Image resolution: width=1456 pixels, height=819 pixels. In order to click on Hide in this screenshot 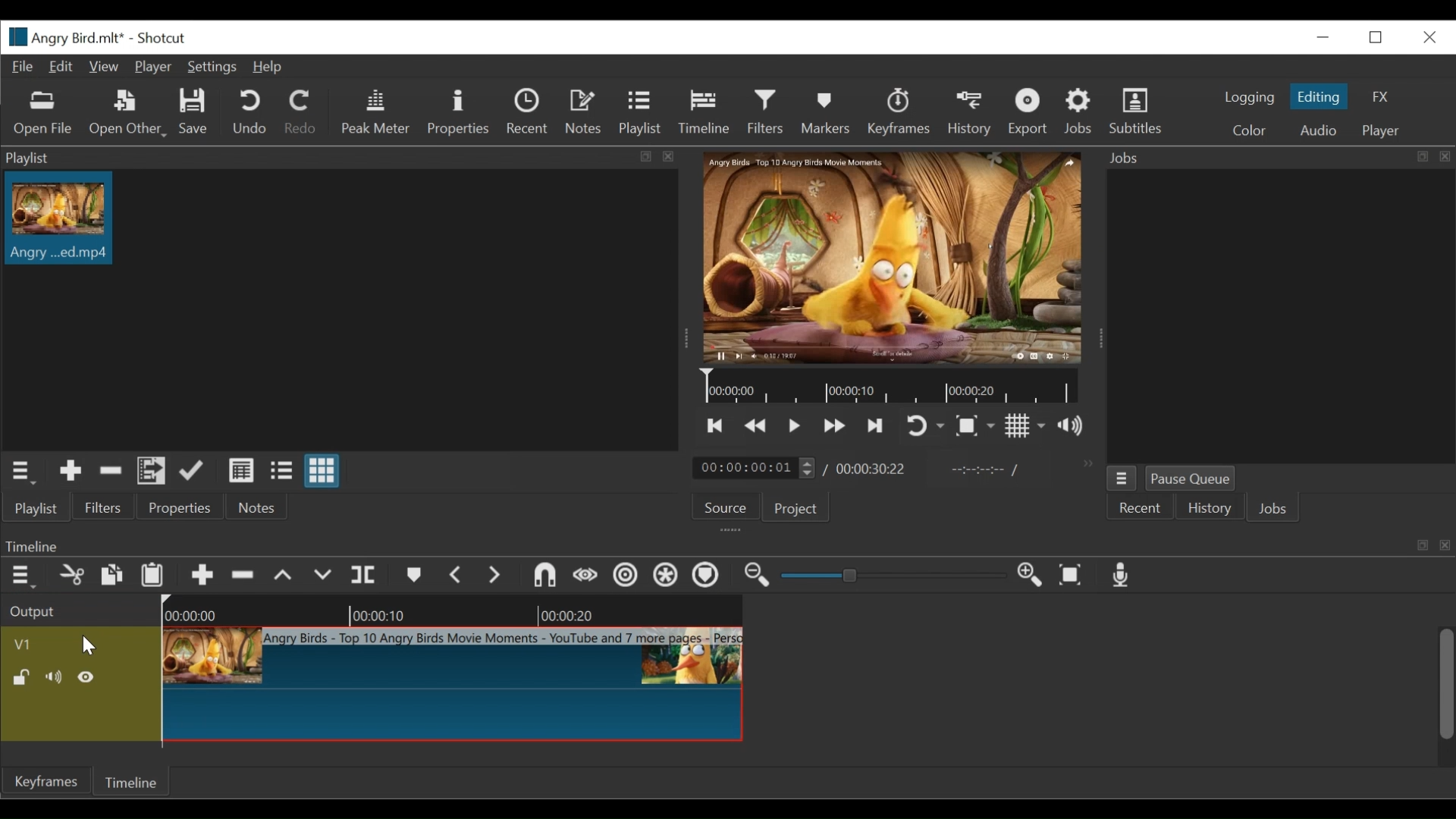, I will do `click(87, 679)`.